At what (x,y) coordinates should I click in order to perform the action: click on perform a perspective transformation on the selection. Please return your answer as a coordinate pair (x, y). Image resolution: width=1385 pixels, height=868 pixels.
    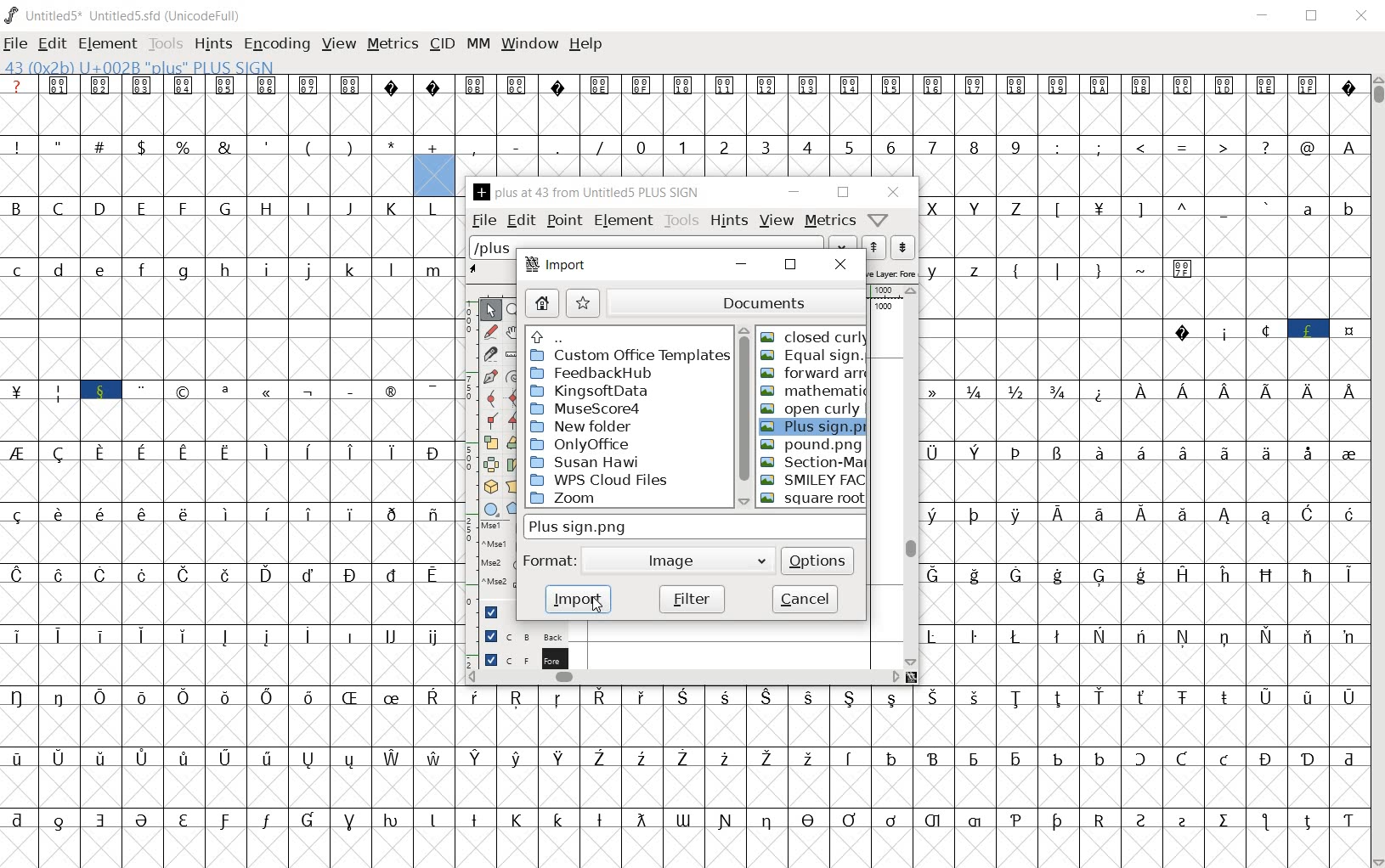
    Looking at the image, I should click on (514, 486).